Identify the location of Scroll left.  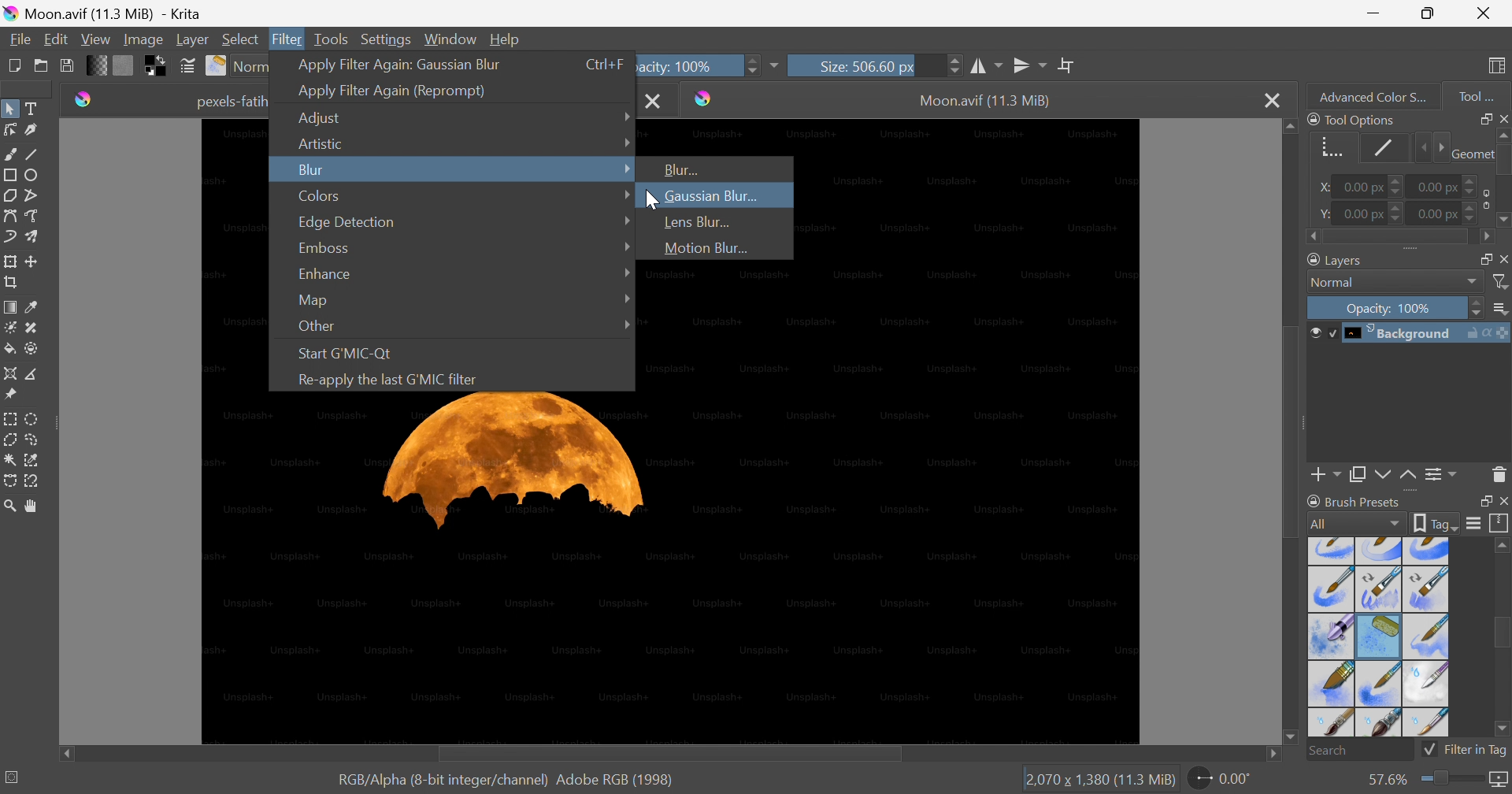
(1314, 237).